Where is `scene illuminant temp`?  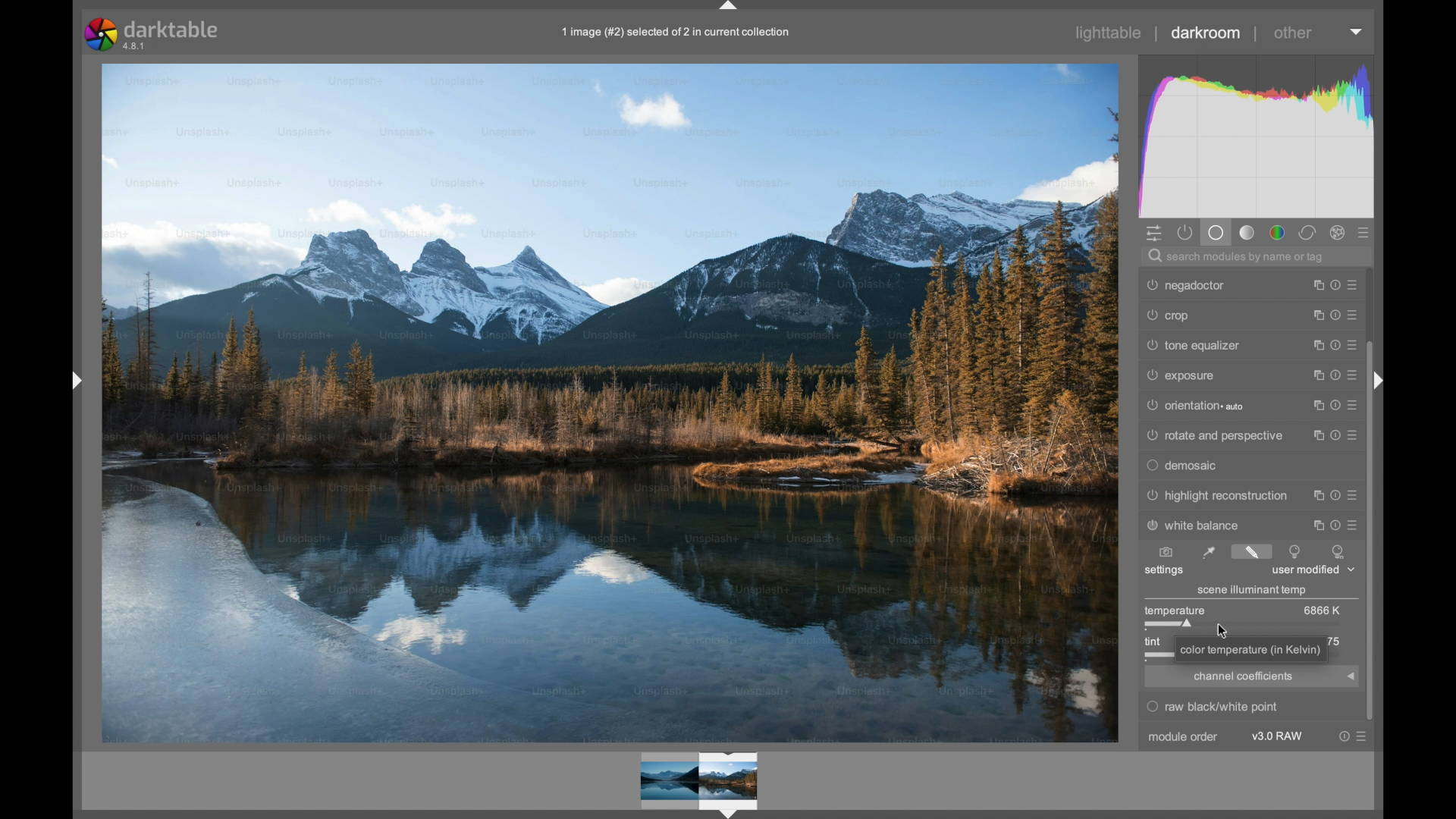
scene illuminant temp is located at coordinates (1252, 591).